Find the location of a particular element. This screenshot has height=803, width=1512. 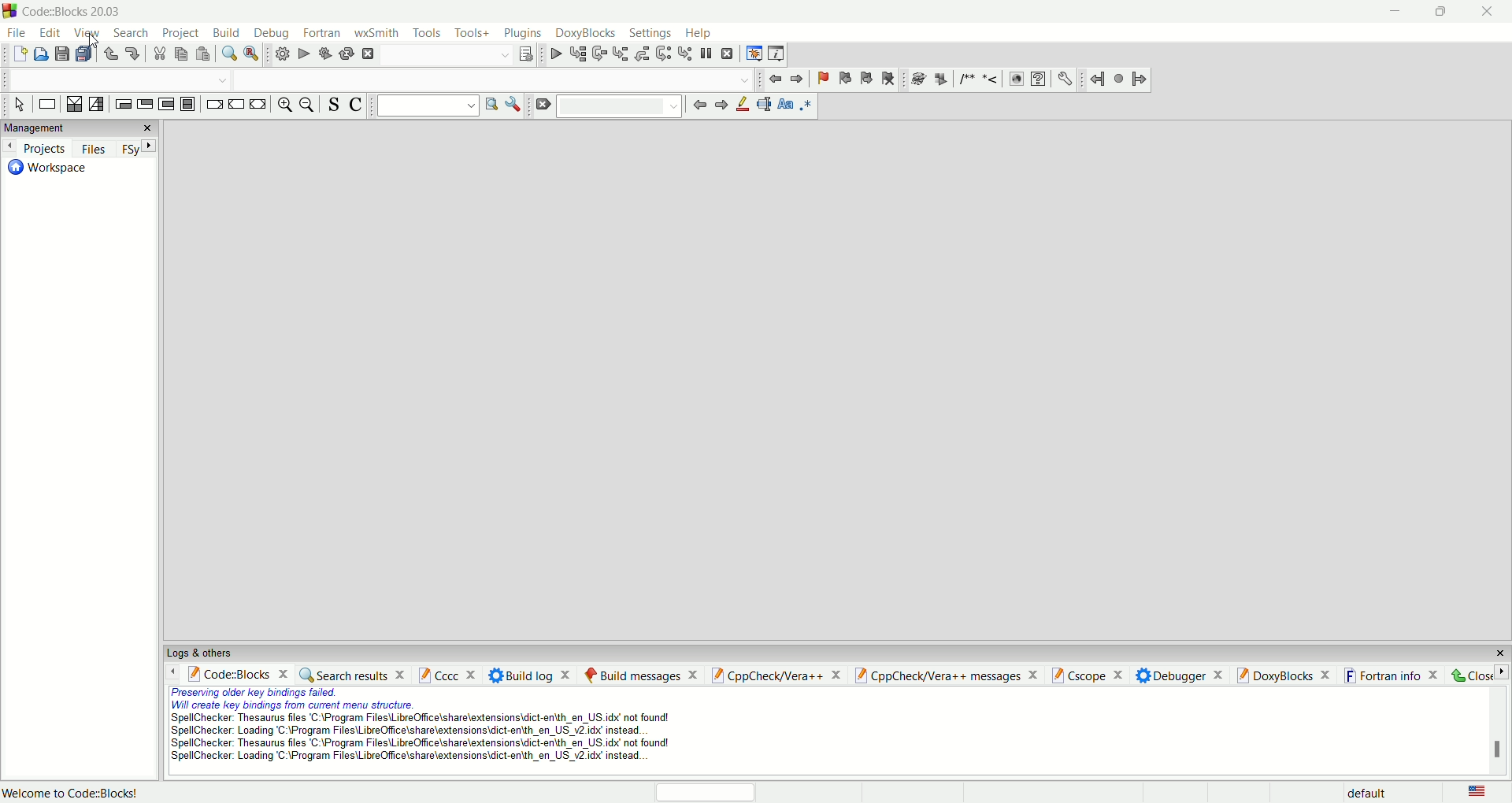

edit is located at coordinates (52, 34).